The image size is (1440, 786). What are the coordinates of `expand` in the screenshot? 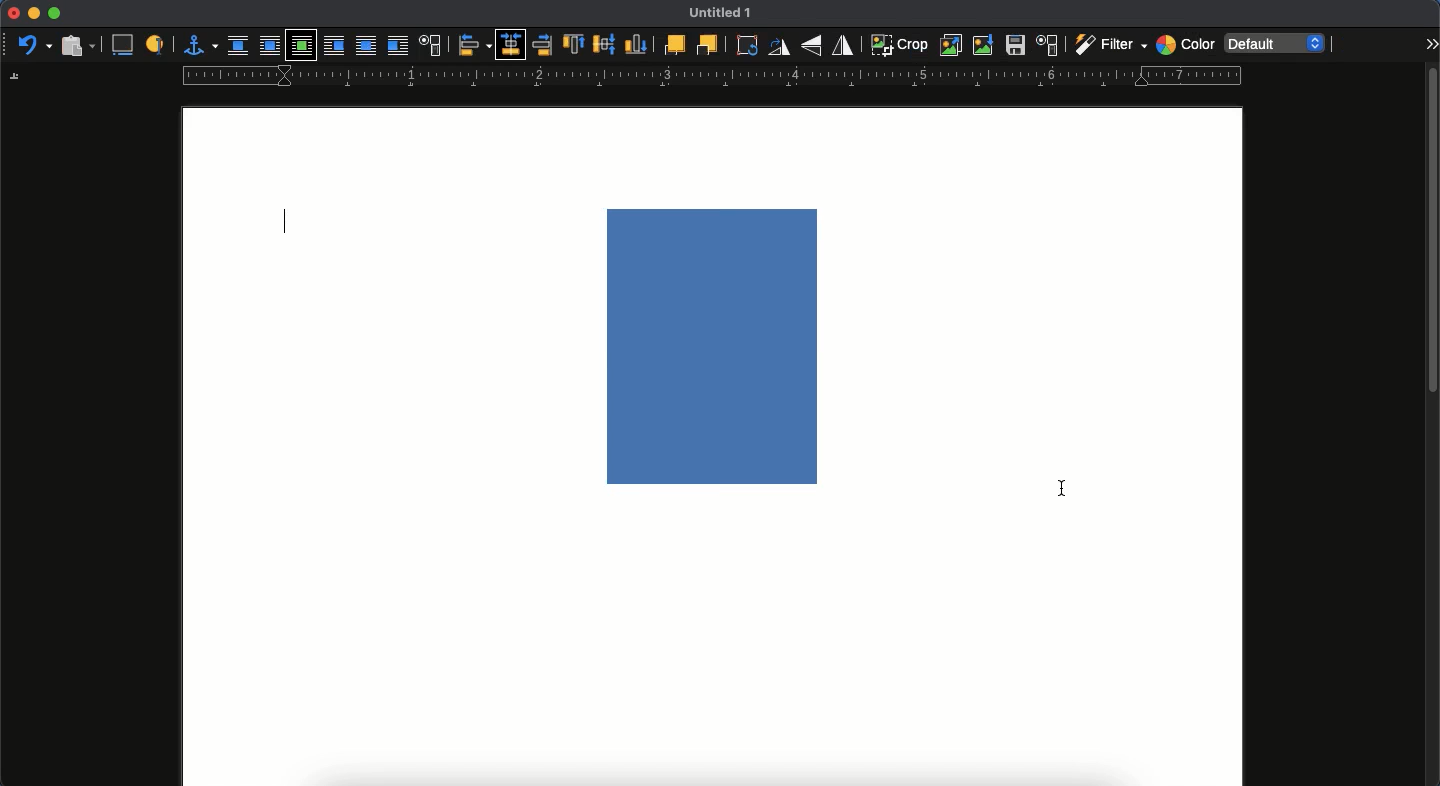 It's located at (1426, 43).